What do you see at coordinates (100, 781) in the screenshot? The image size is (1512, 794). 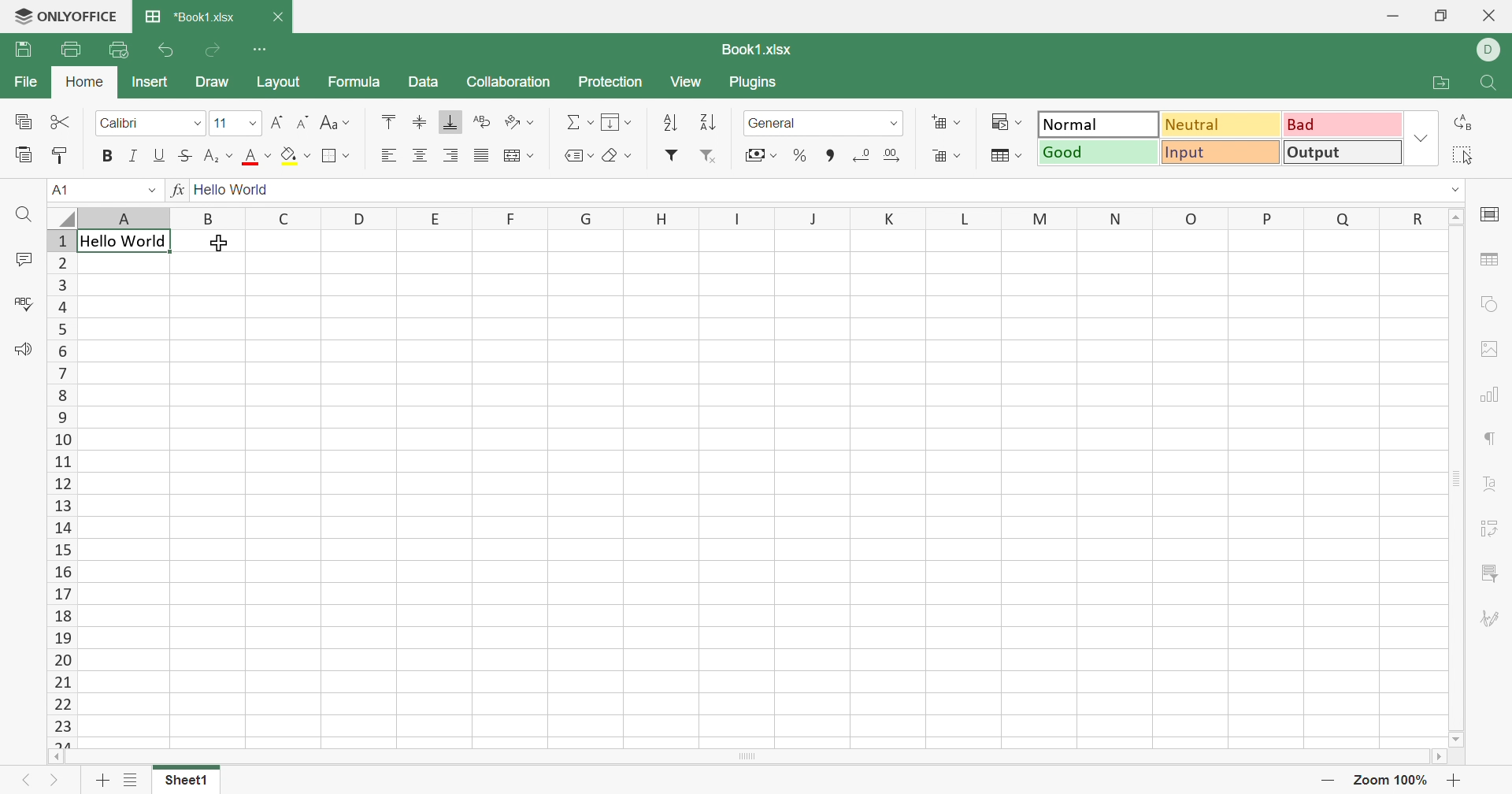 I see `Add sheet` at bounding box center [100, 781].